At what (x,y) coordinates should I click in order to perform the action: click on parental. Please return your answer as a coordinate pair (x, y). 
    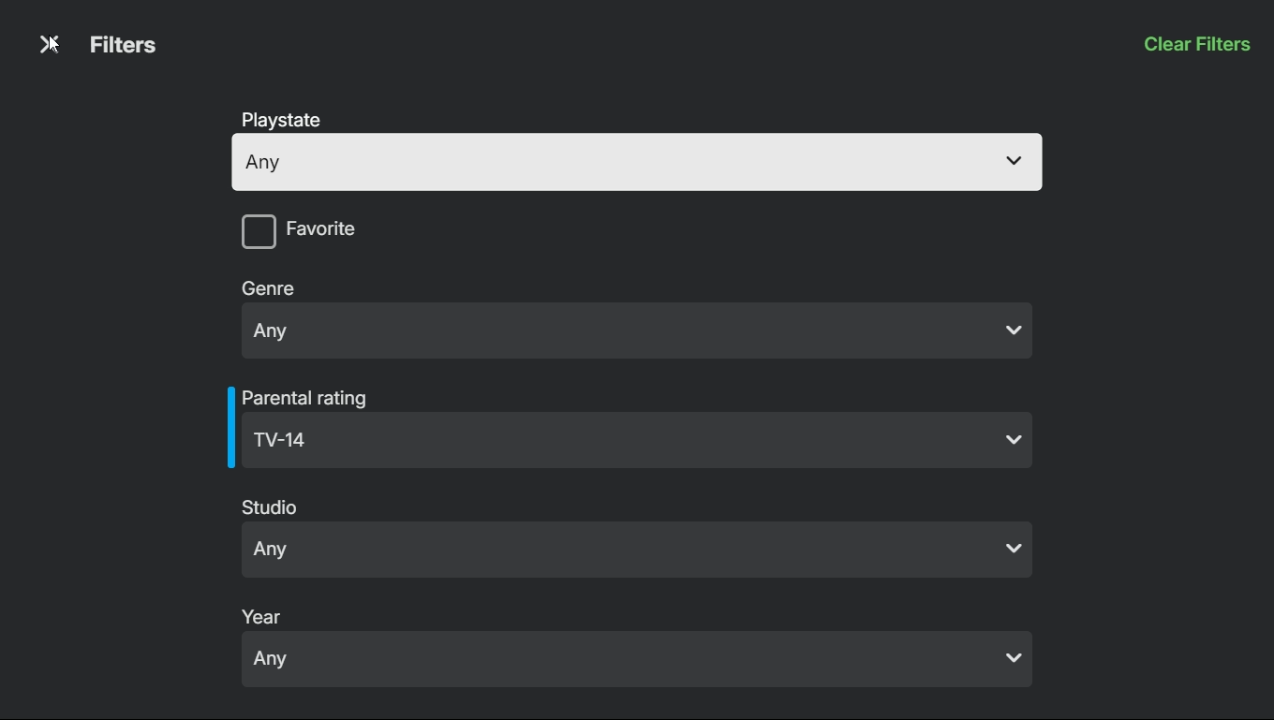
    Looking at the image, I should click on (310, 395).